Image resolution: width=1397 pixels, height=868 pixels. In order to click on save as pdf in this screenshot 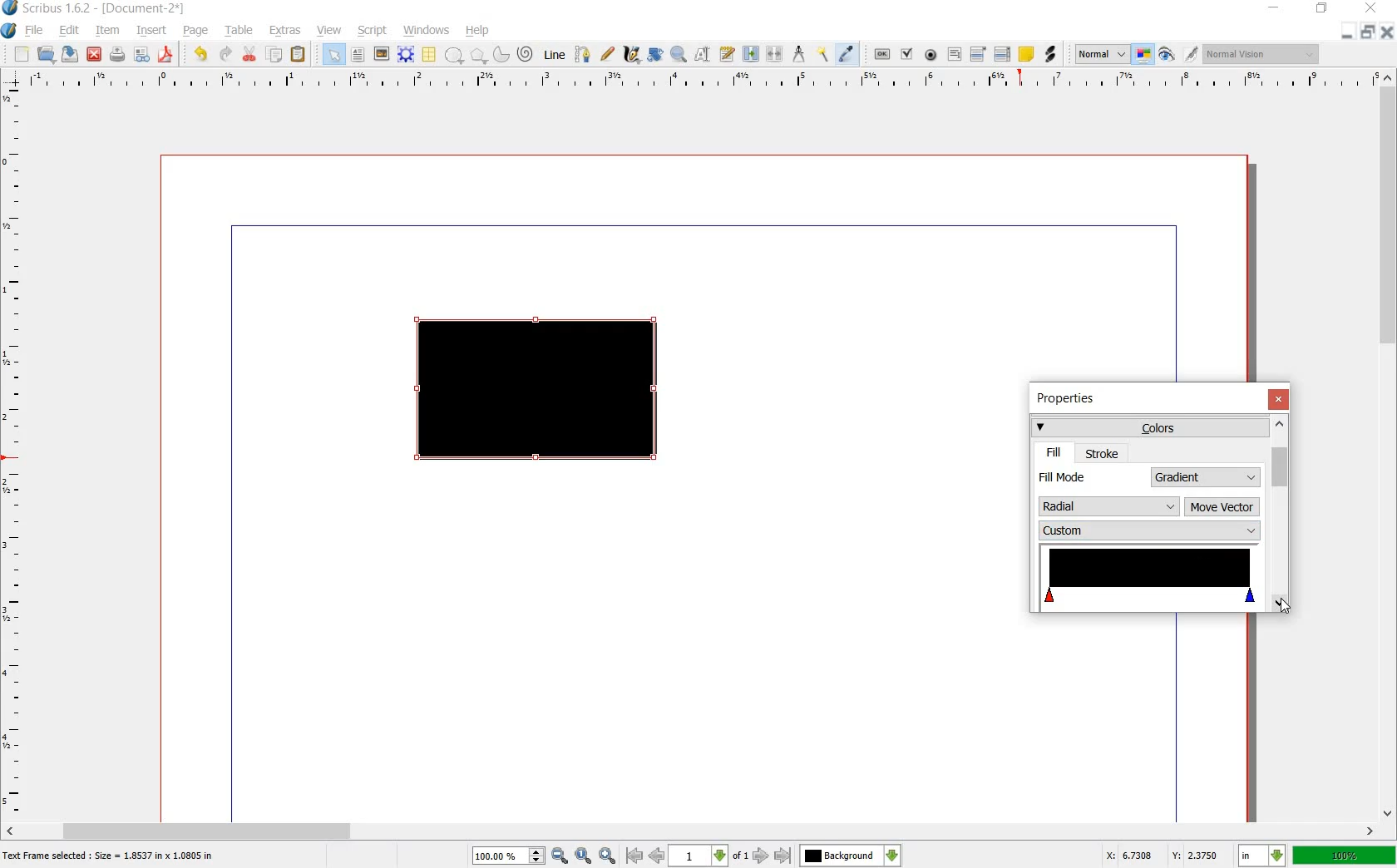, I will do `click(165, 55)`.